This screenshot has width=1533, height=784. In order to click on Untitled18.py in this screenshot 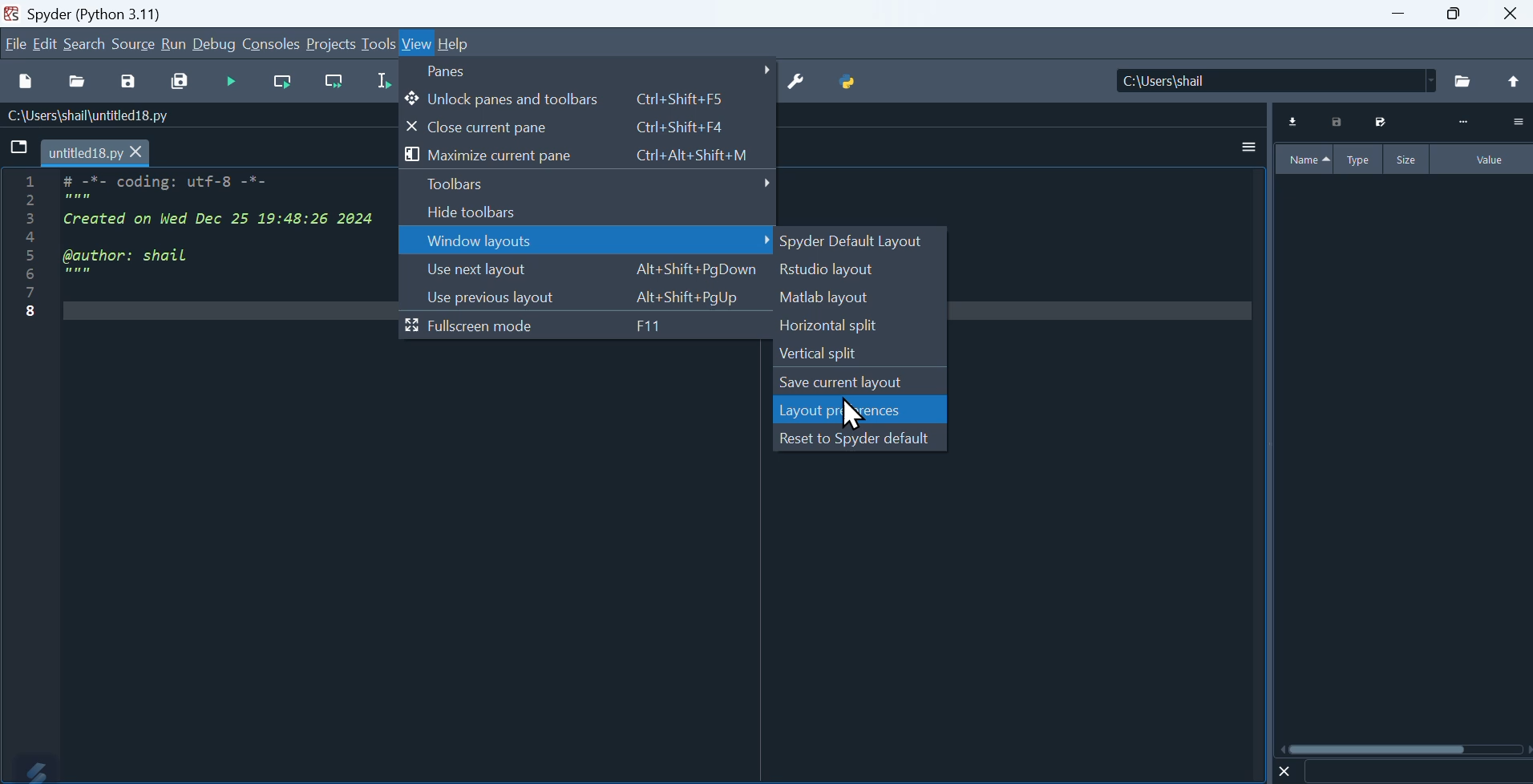, I will do `click(96, 154)`.